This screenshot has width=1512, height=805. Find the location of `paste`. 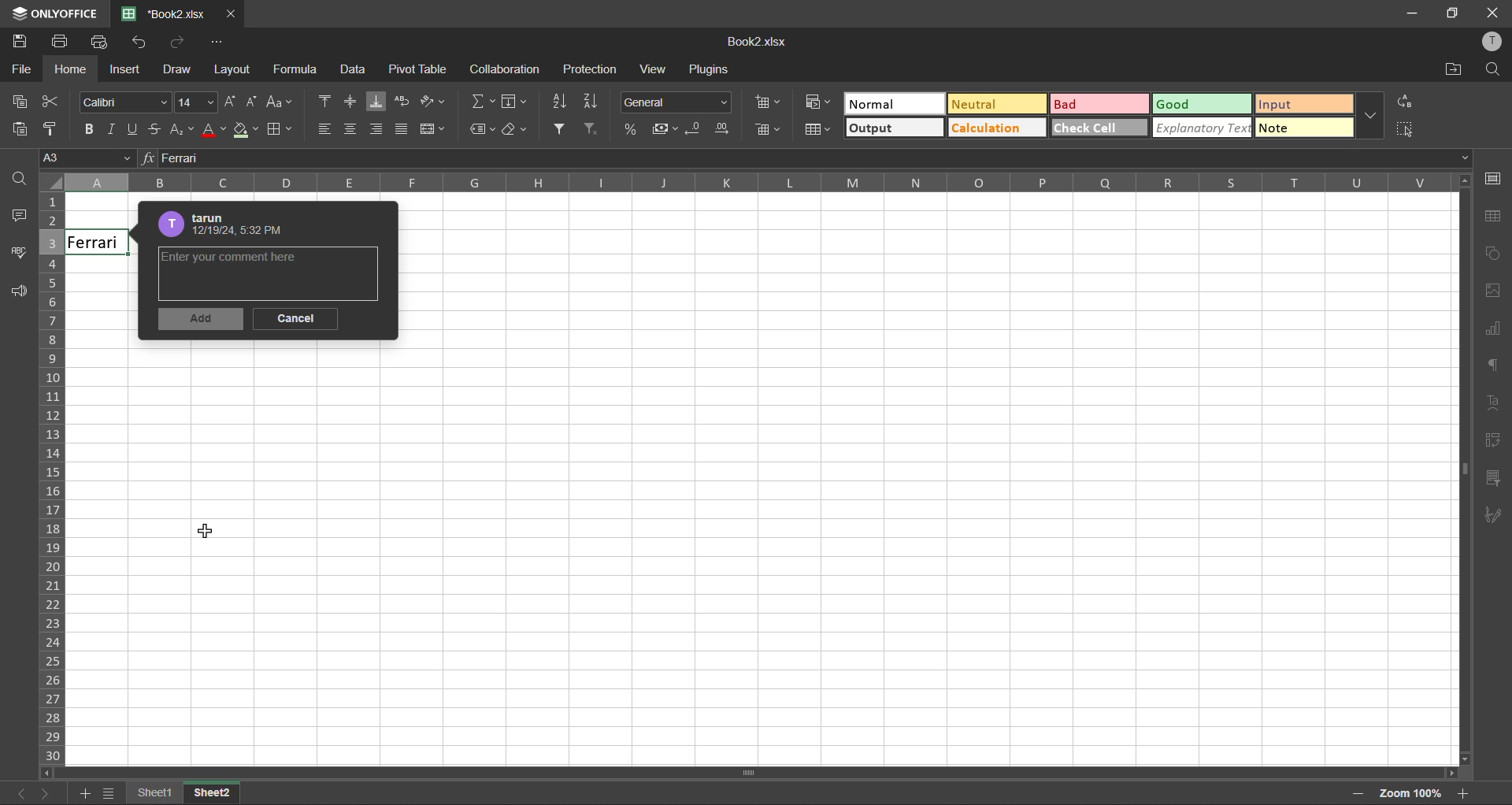

paste is located at coordinates (18, 132).